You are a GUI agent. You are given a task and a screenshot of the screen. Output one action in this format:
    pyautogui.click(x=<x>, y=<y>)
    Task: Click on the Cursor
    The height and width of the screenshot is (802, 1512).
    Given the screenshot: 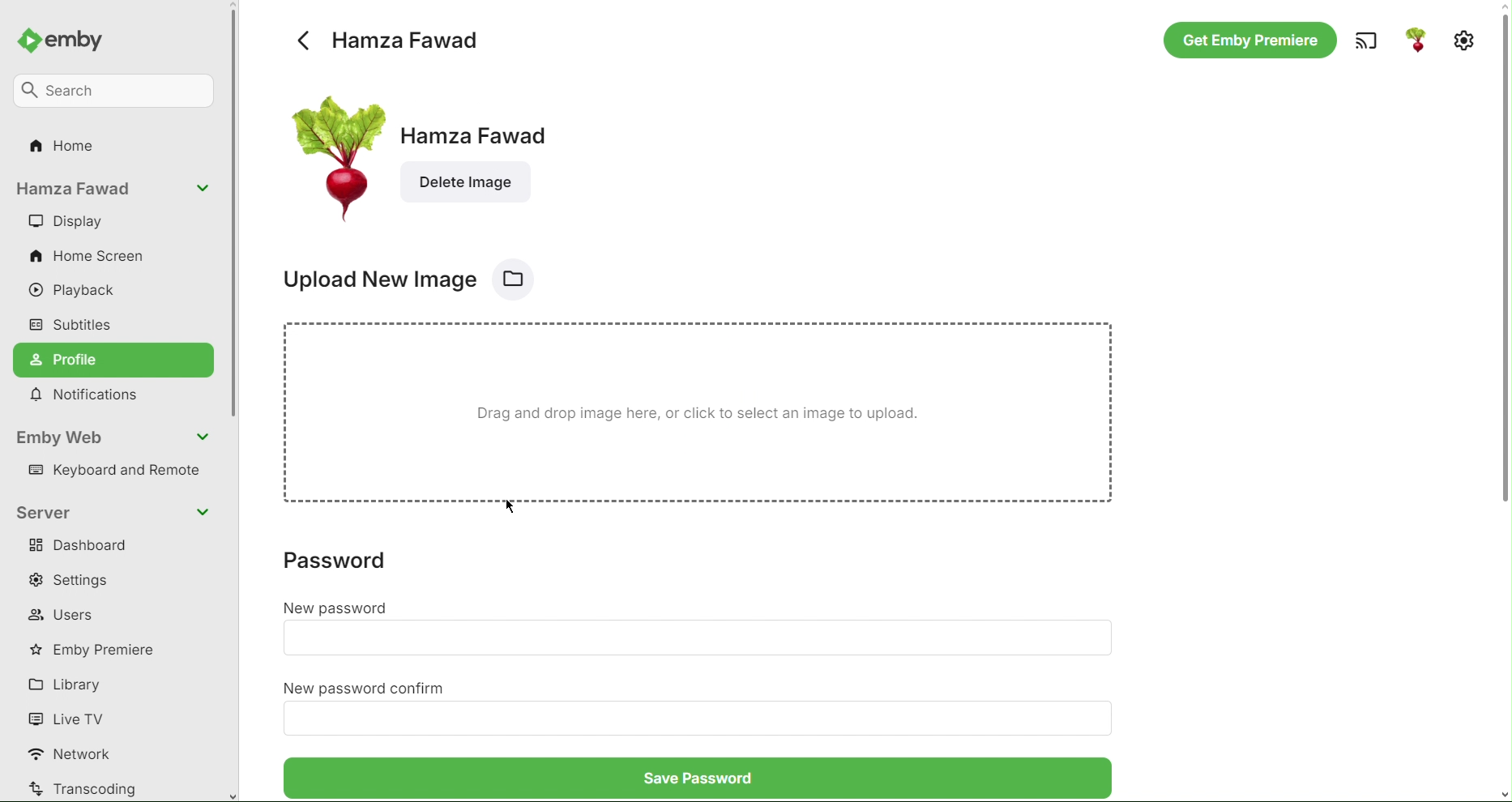 What is the action you would take?
    pyautogui.click(x=510, y=507)
    